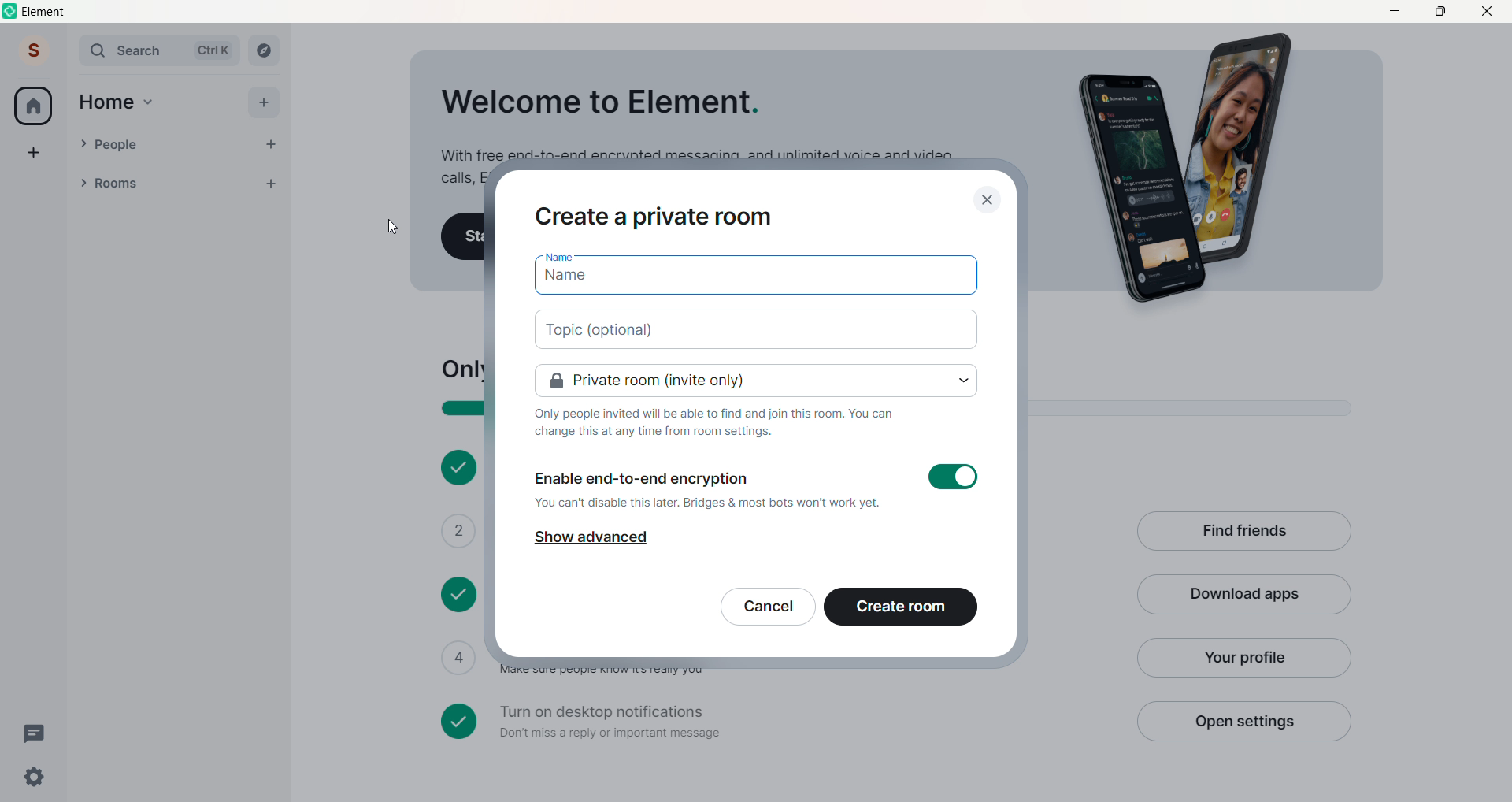 The image size is (1512, 802). I want to click on List options, so click(239, 184).